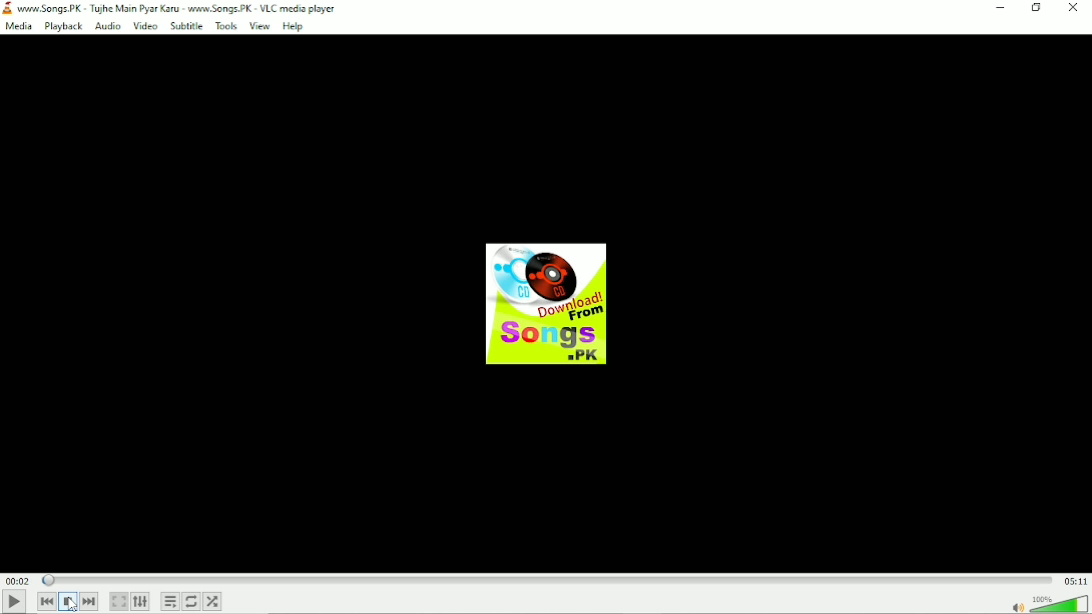 This screenshot has width=1092, height=614. Describe the element at coordinates (145, 27) in the screenshot. I see `Video` at that location.